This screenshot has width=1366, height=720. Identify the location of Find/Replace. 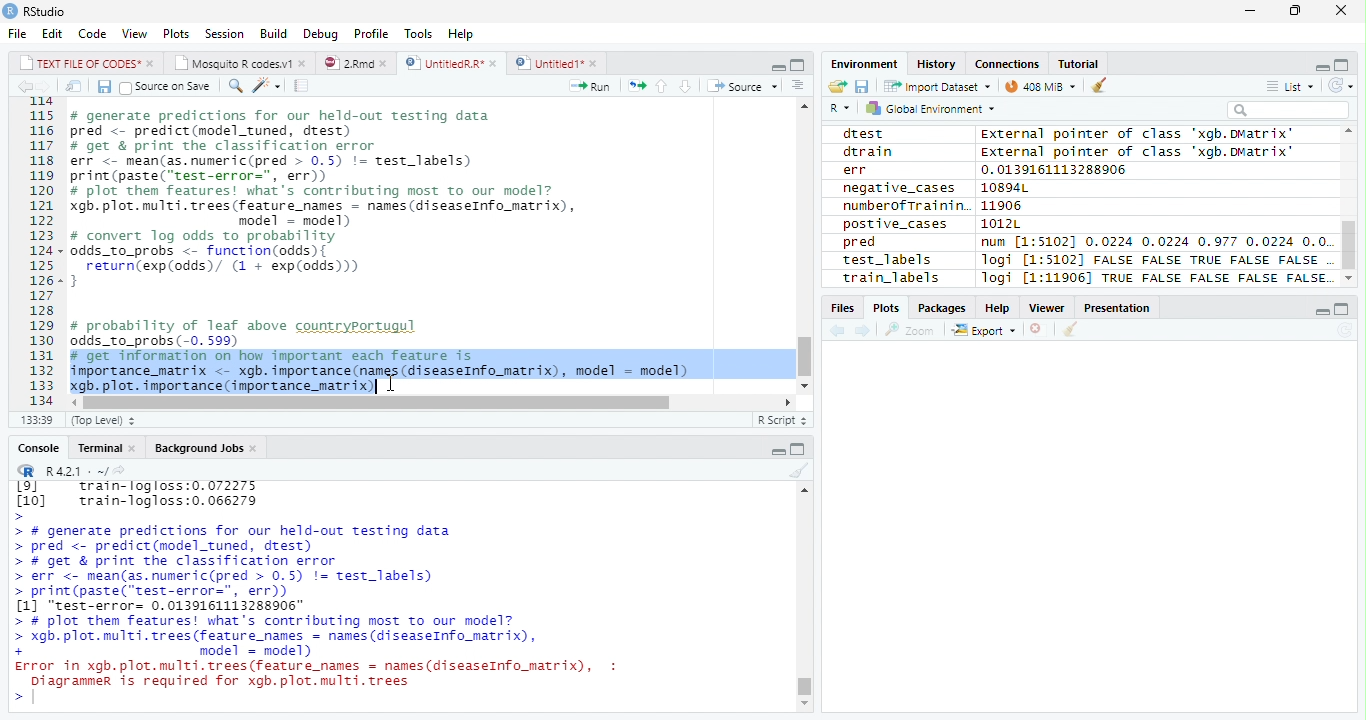
(233, 85).